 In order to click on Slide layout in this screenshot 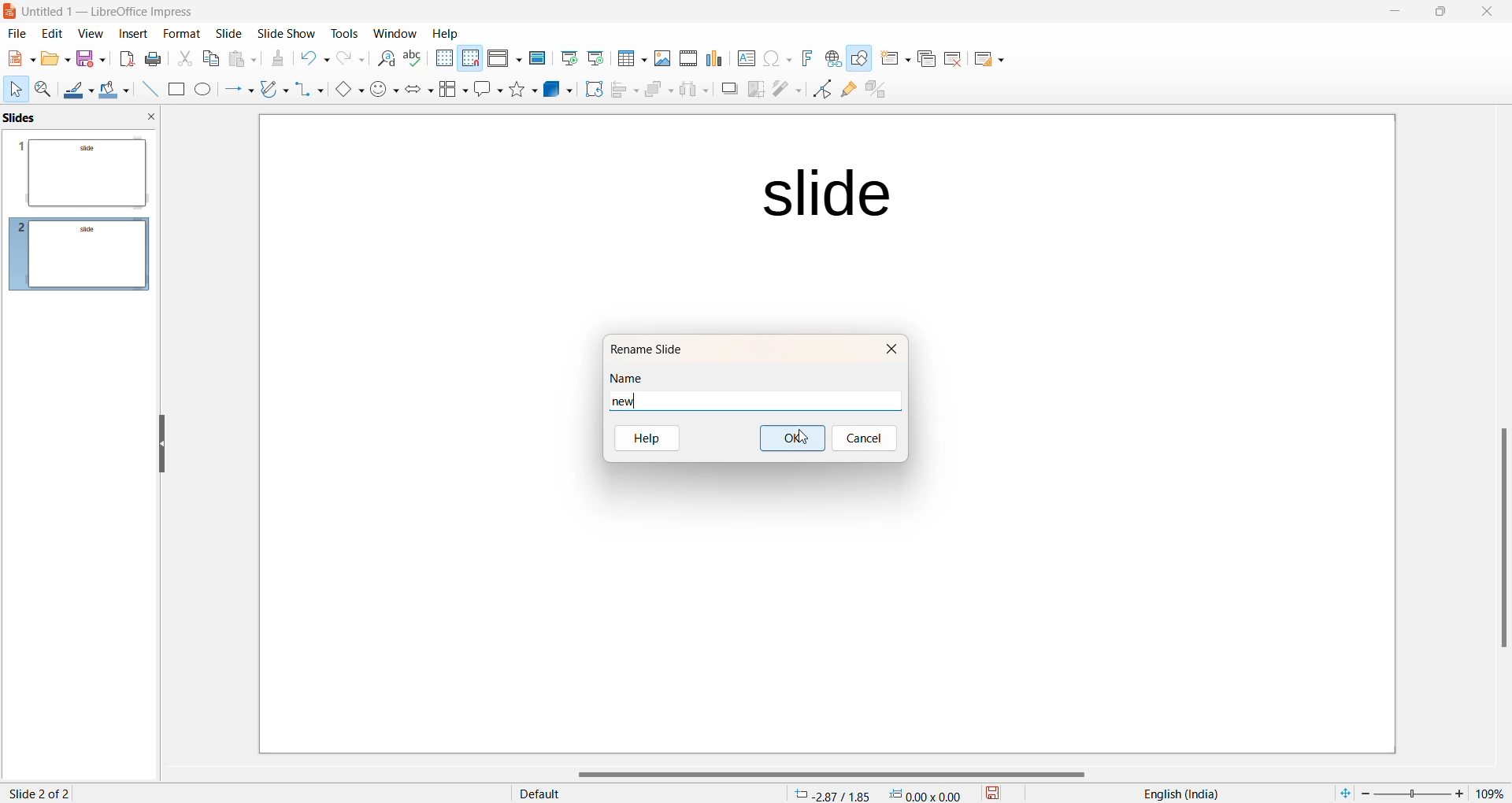, I will do `click(994, 57)`.